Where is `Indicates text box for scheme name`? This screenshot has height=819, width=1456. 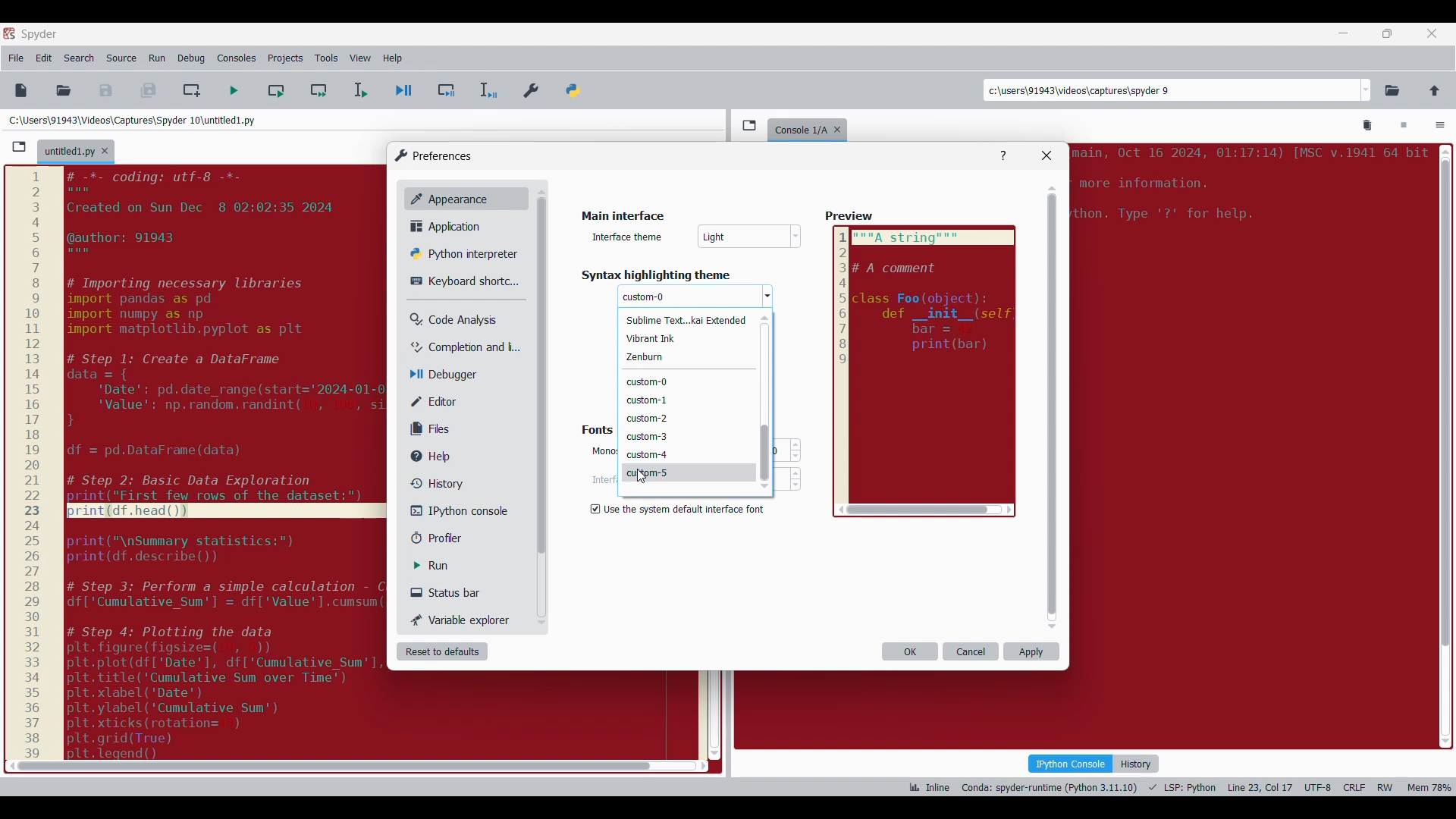 Indicates text box for scheme name is located at coordinates (629, 236).